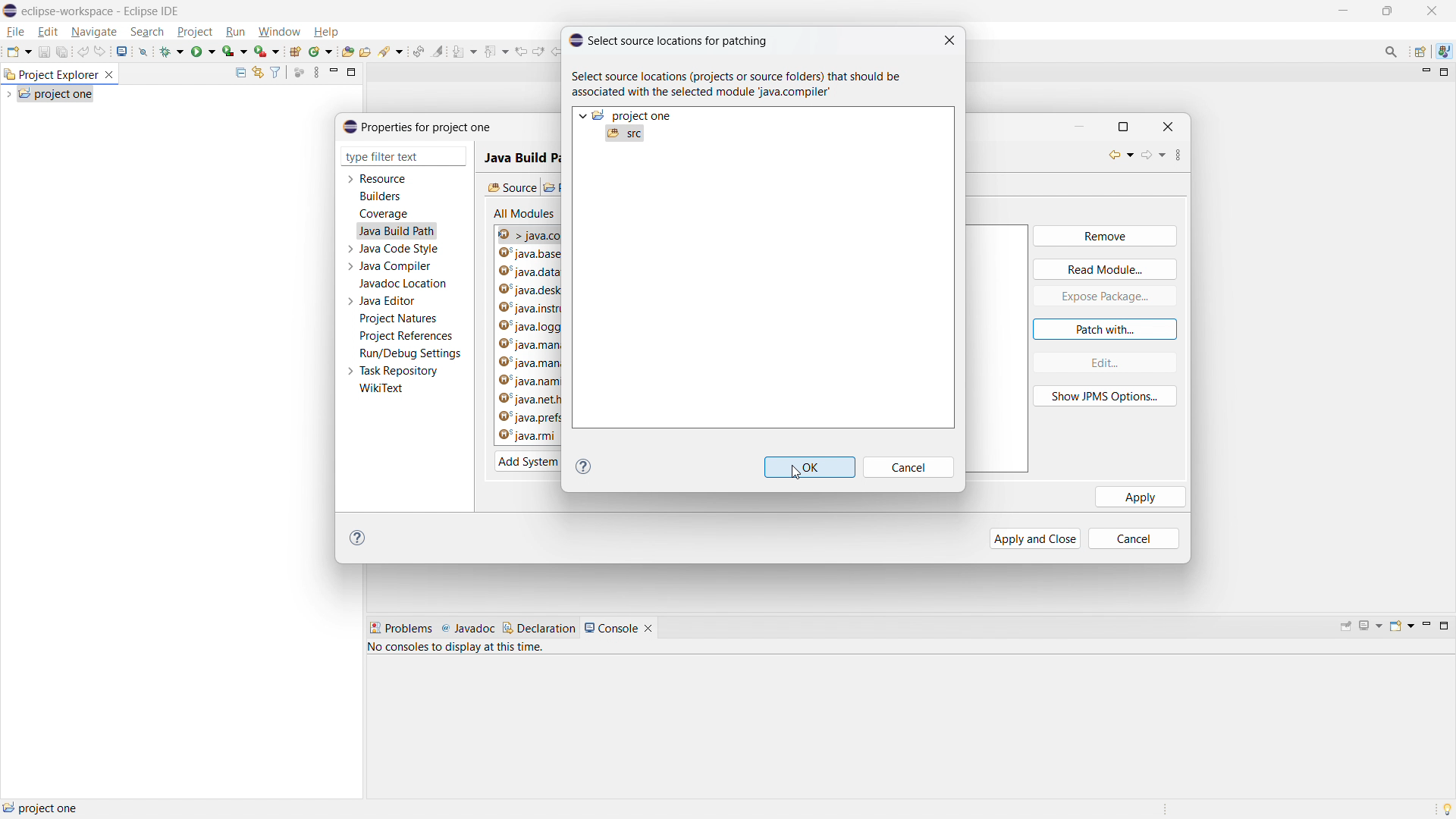 The height and width of the screenshot is (819, 1456). What do you see at coordinates (400, 371) in the screenshot?
I see `task repository` at bounding box center [400, 371].